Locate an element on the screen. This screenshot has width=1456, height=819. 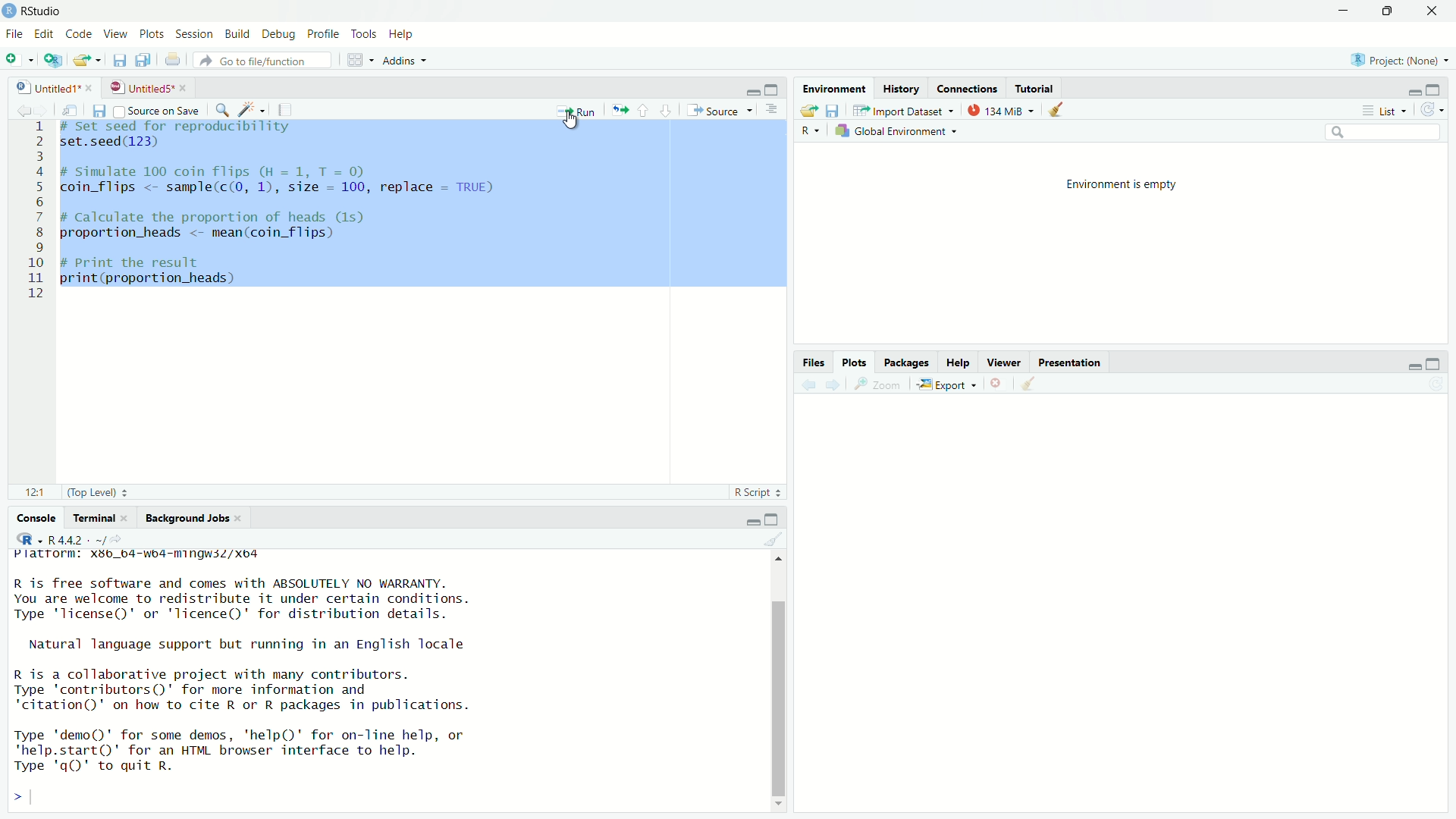
close is located at coordinates (1434, 9).